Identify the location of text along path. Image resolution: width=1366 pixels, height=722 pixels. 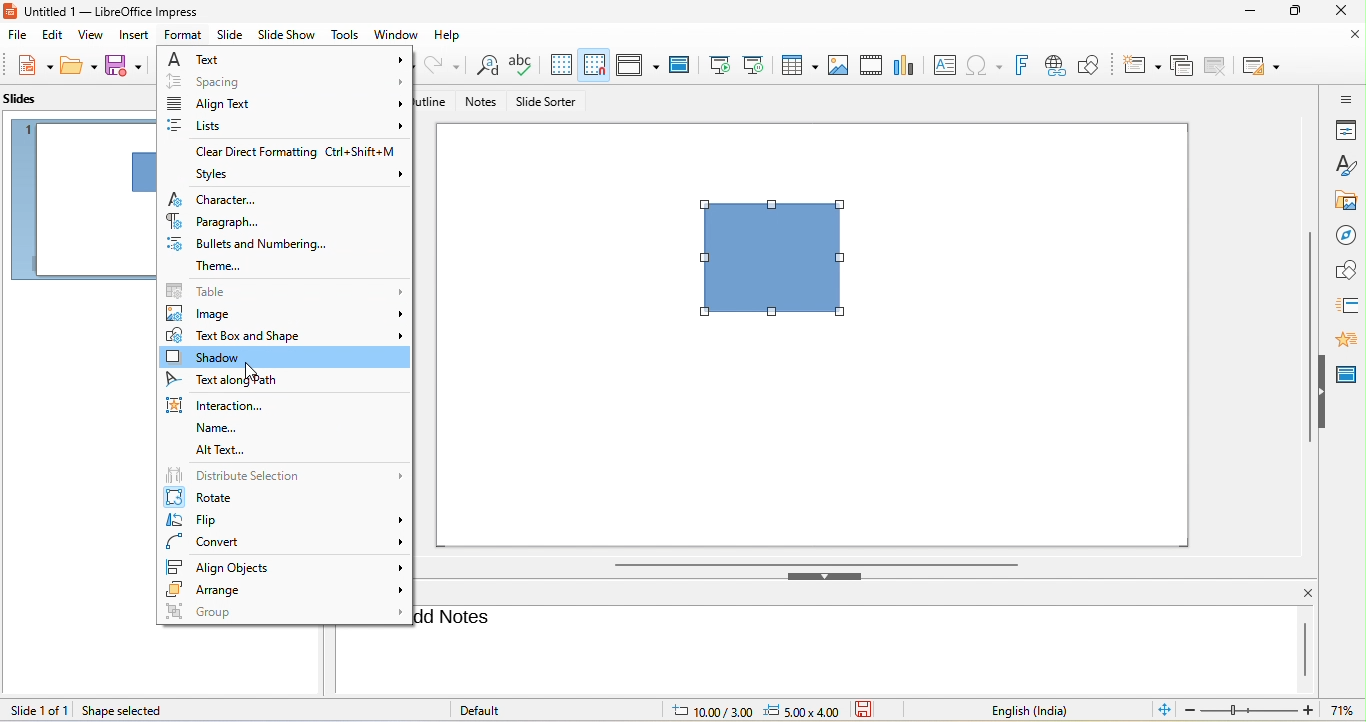
(242, 381).